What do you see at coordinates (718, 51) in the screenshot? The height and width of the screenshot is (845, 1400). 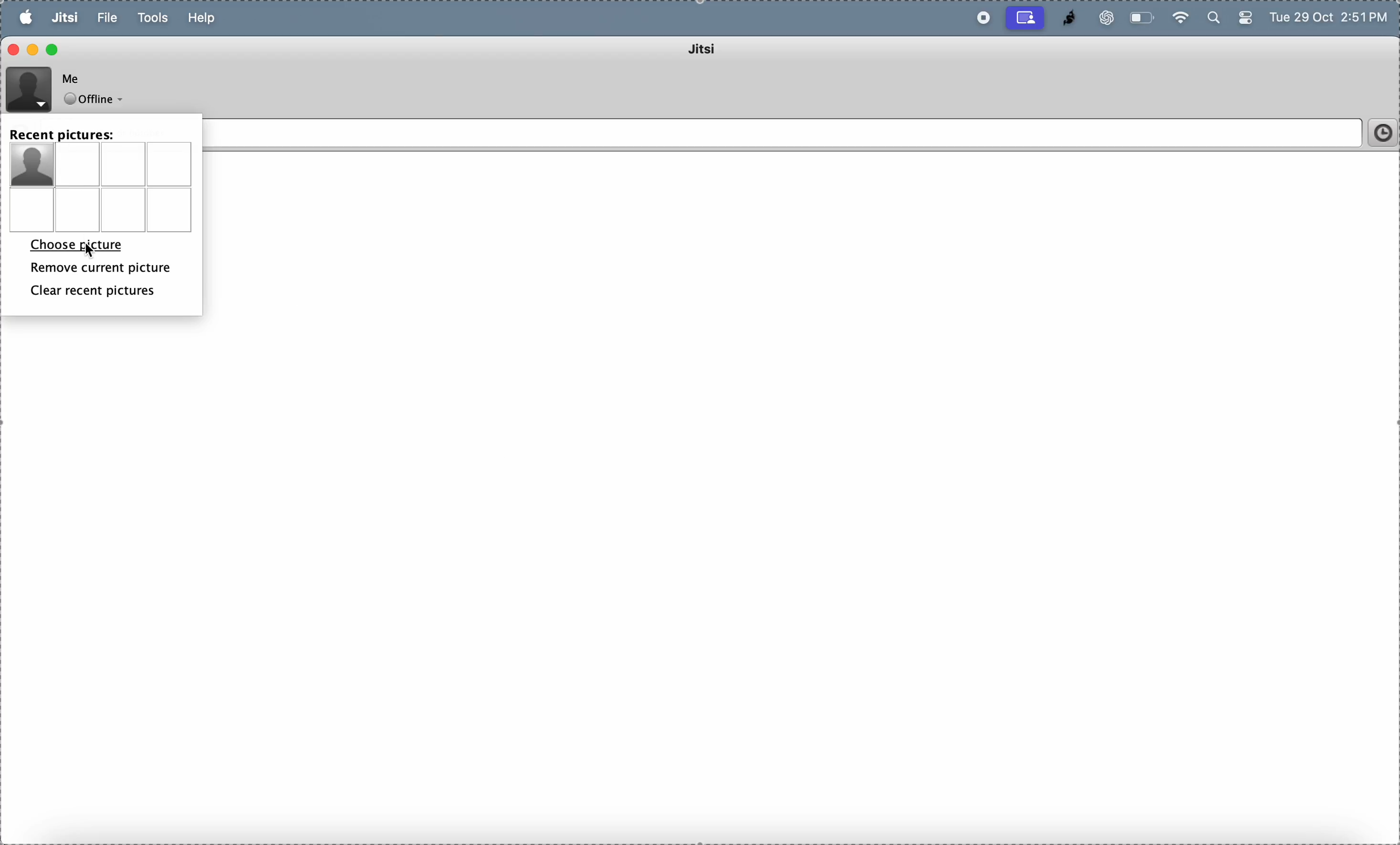 I see `jitsi ` at bounding box center [718, 51].